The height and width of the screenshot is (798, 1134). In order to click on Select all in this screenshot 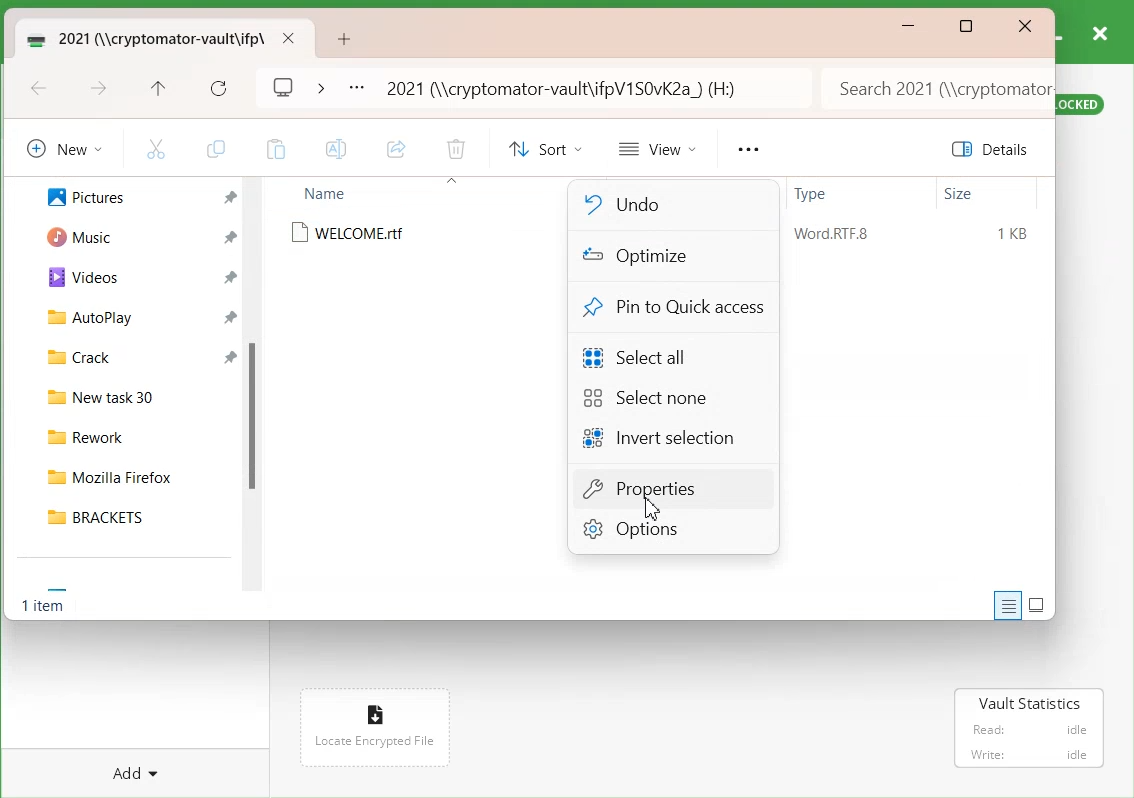, I will do `click(646, 355)`.